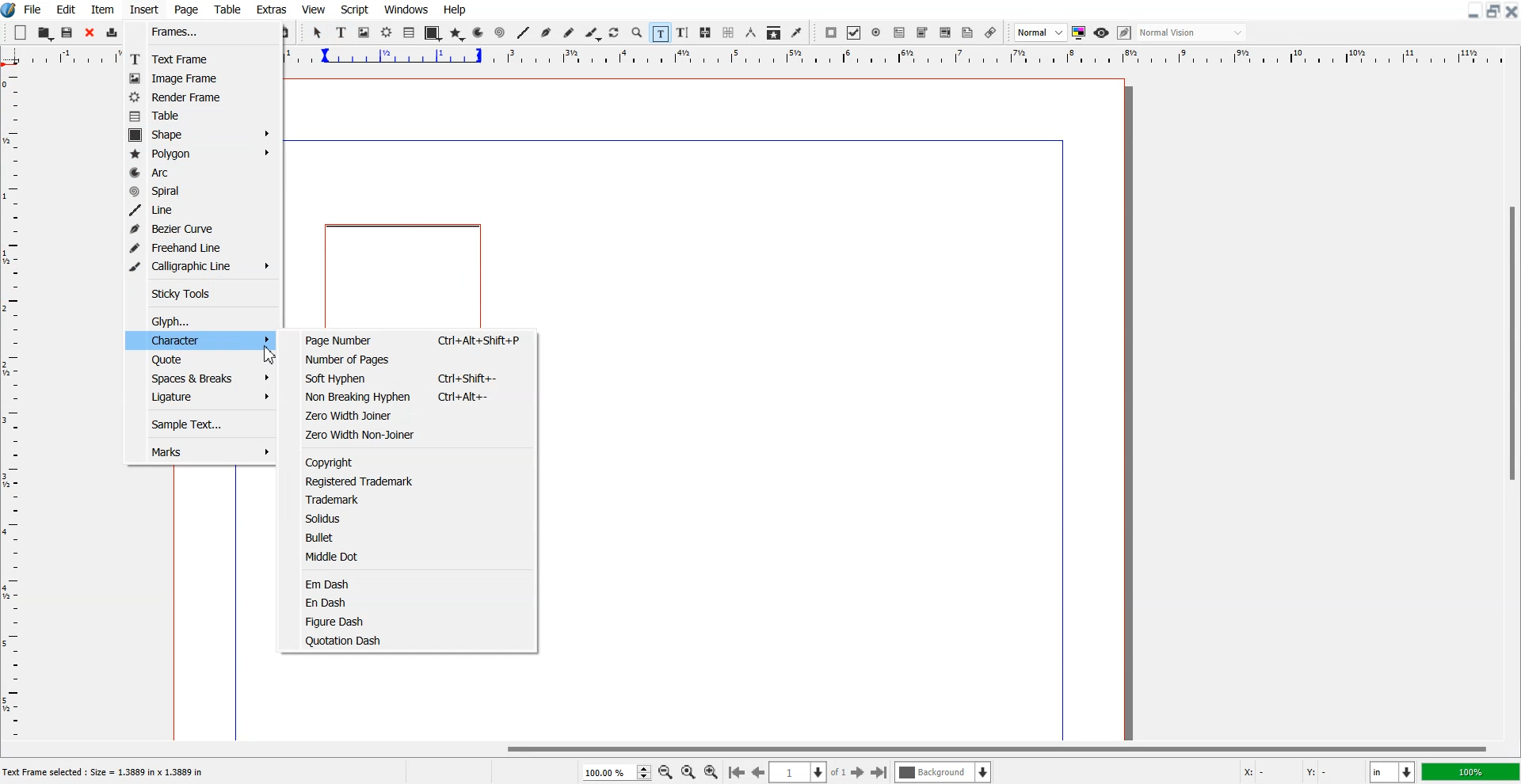 This screenshot has width=1521, height=784. I want to click on Bezier Curve, so click(199, 229).